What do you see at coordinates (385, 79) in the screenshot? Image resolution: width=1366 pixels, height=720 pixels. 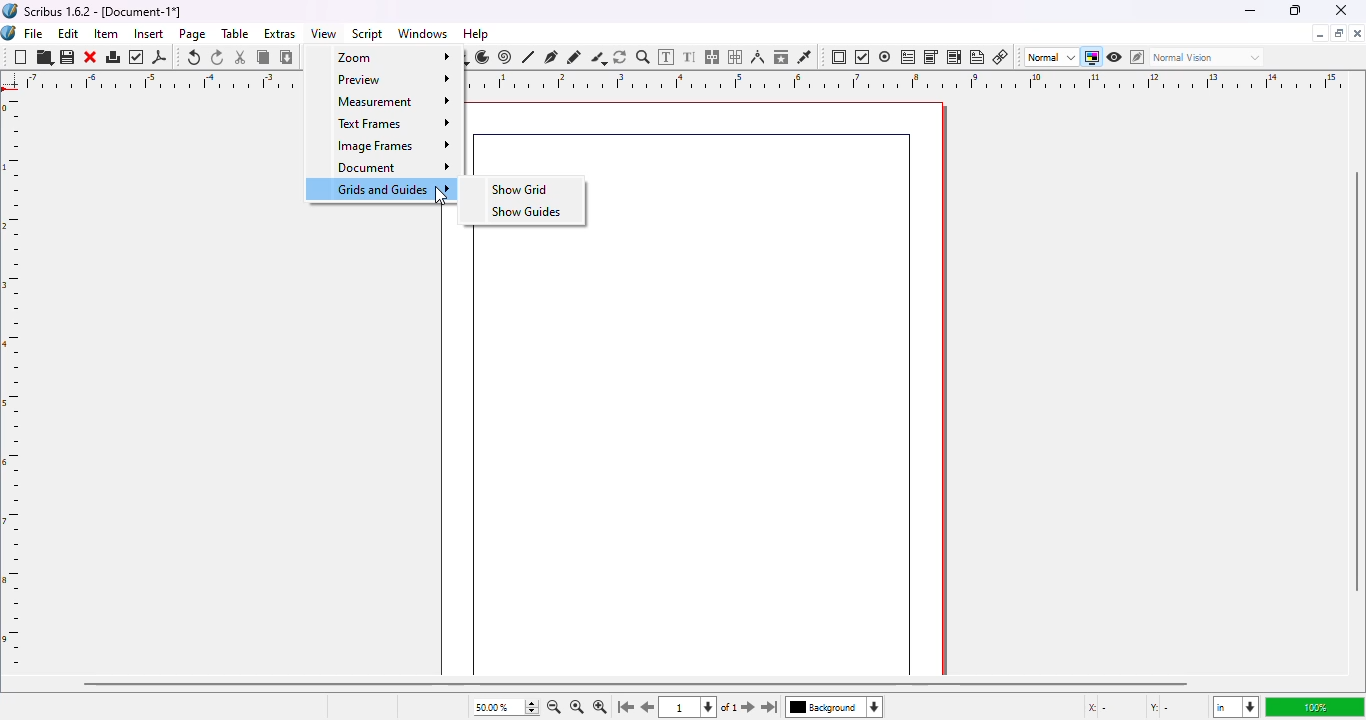 I see `preview` at bounding box center [385, 79].